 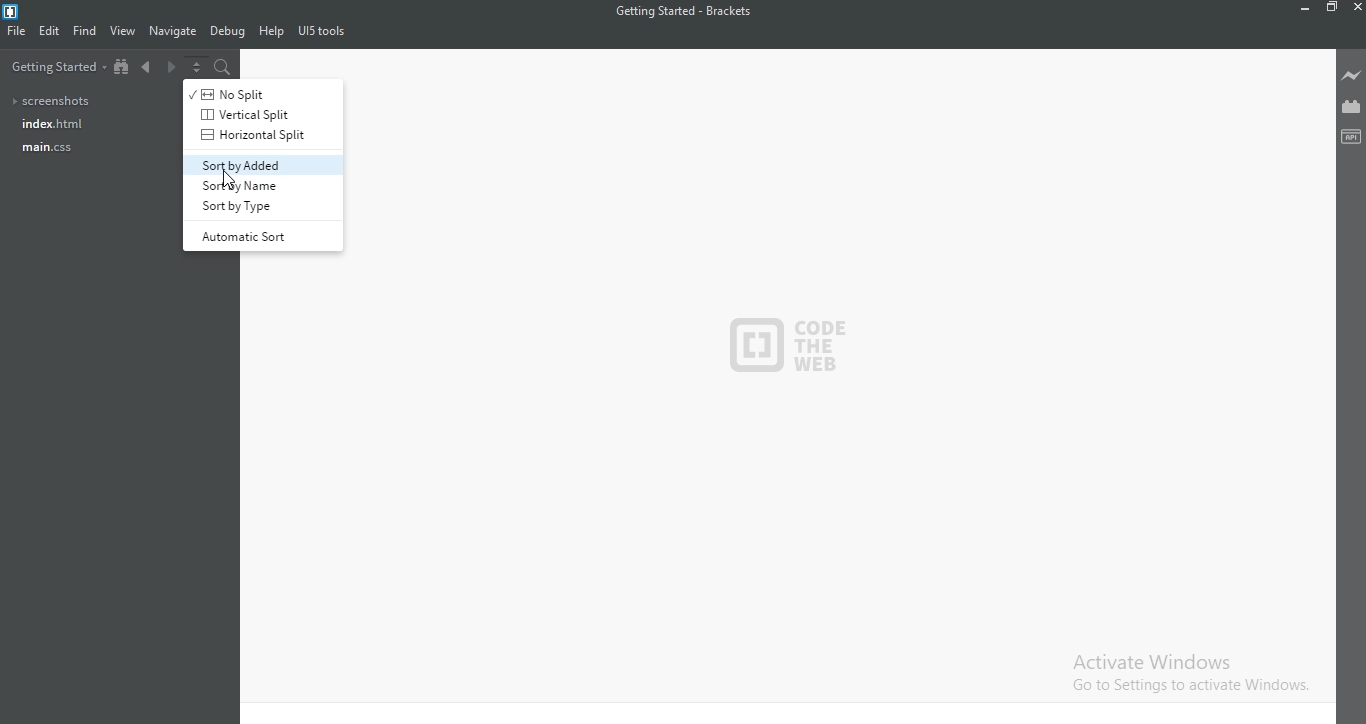 What do you see at coordinates (54, 102) in the screenshot?
I see `Screenshots` at bounding box center [54, 102].